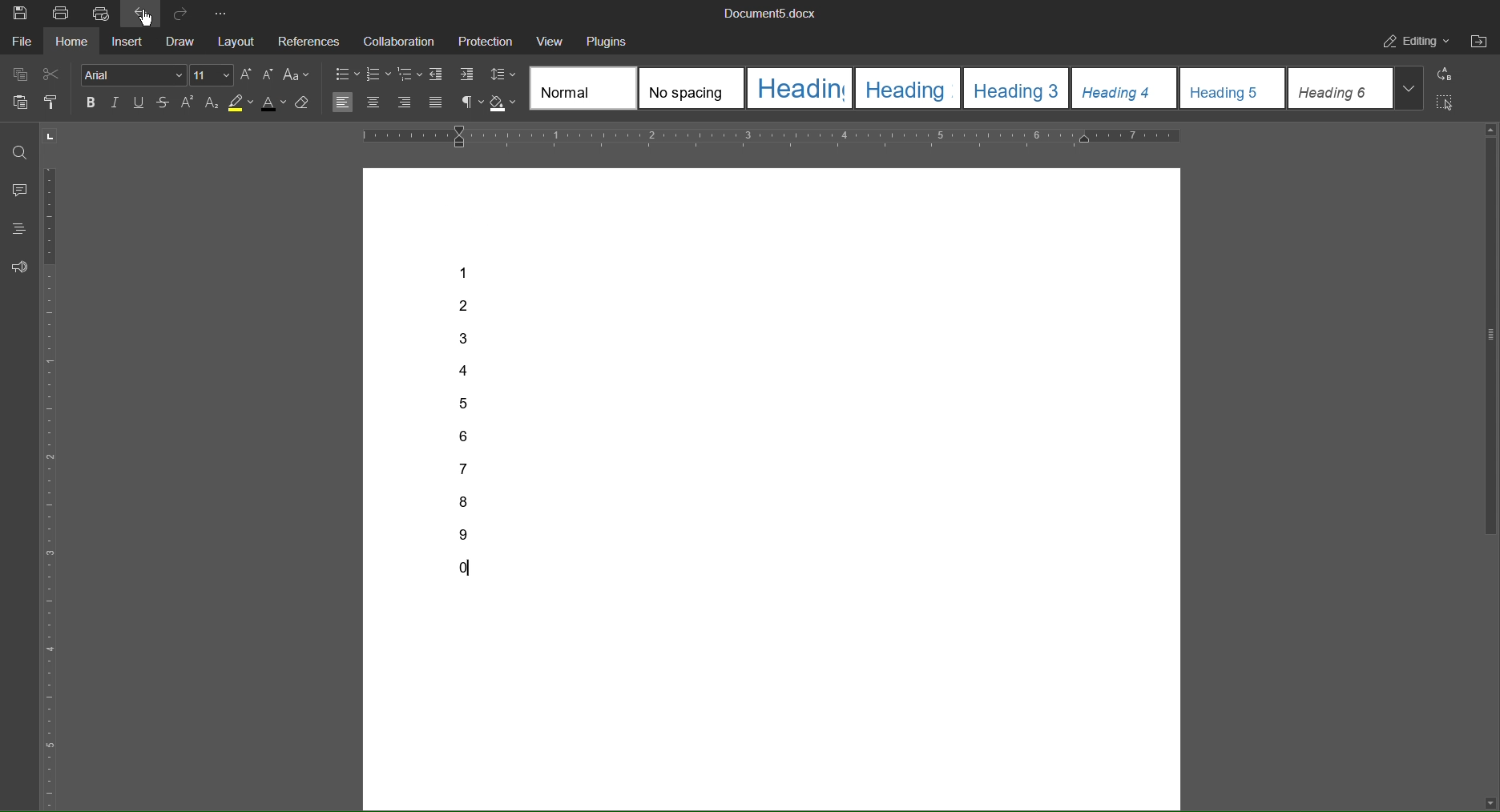  Describe the element at coordinates (128, 42) in the screenshot. I see `Insert` at that location.